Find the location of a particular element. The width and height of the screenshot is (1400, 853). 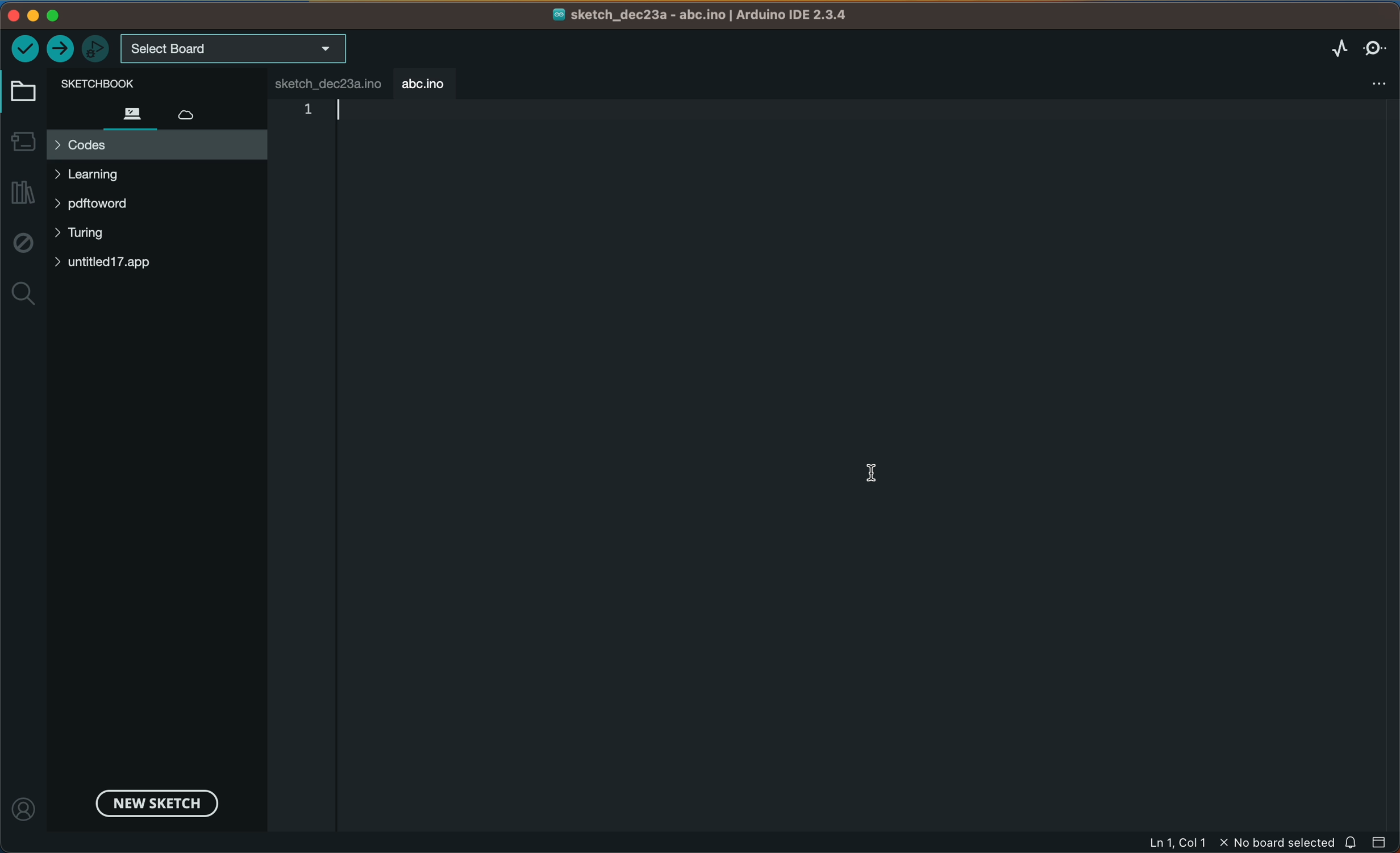

learning is located at coordinates (111, 174).